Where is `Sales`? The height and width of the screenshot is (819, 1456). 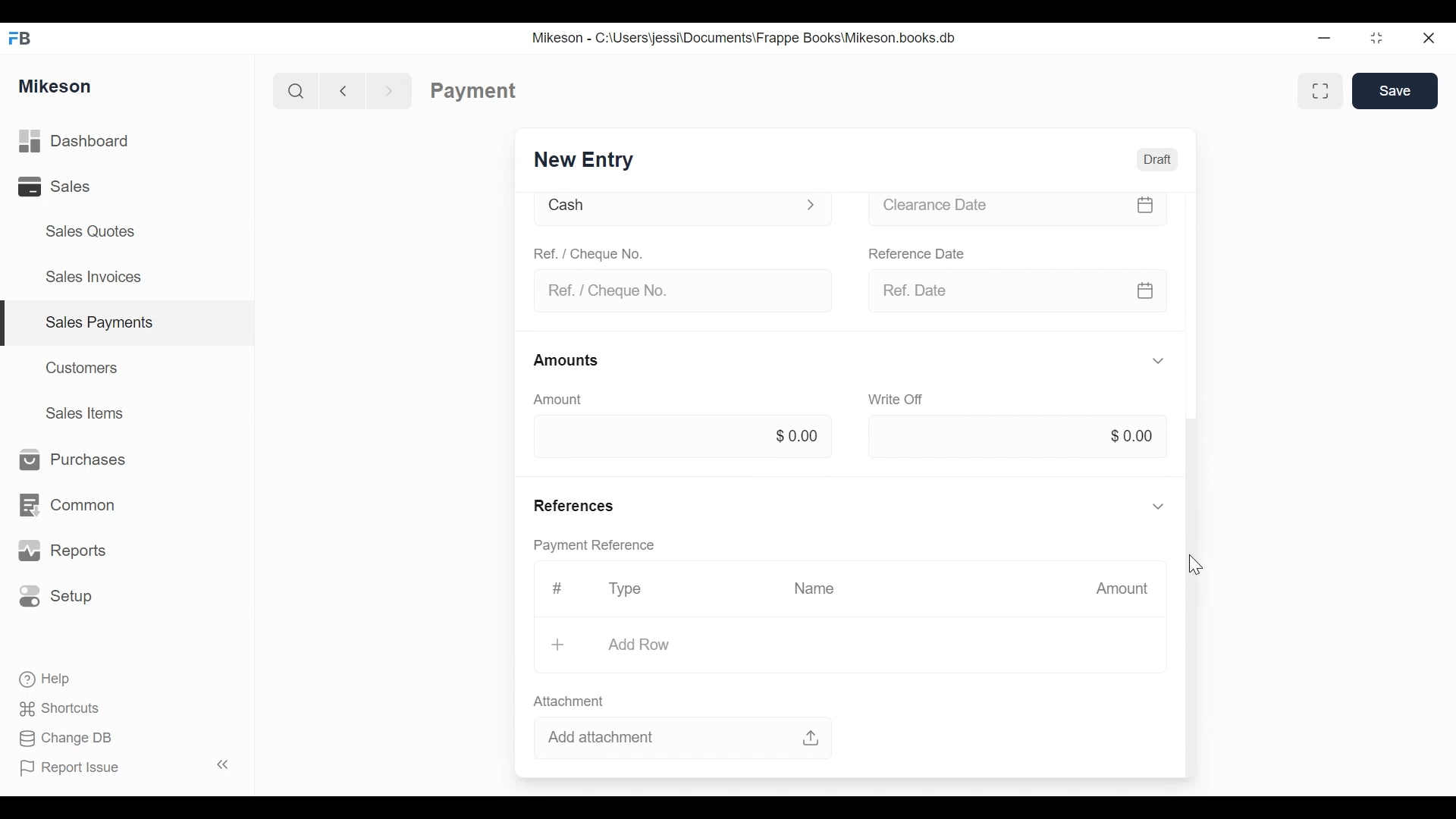 Sales is located at coordinates (53, 188).